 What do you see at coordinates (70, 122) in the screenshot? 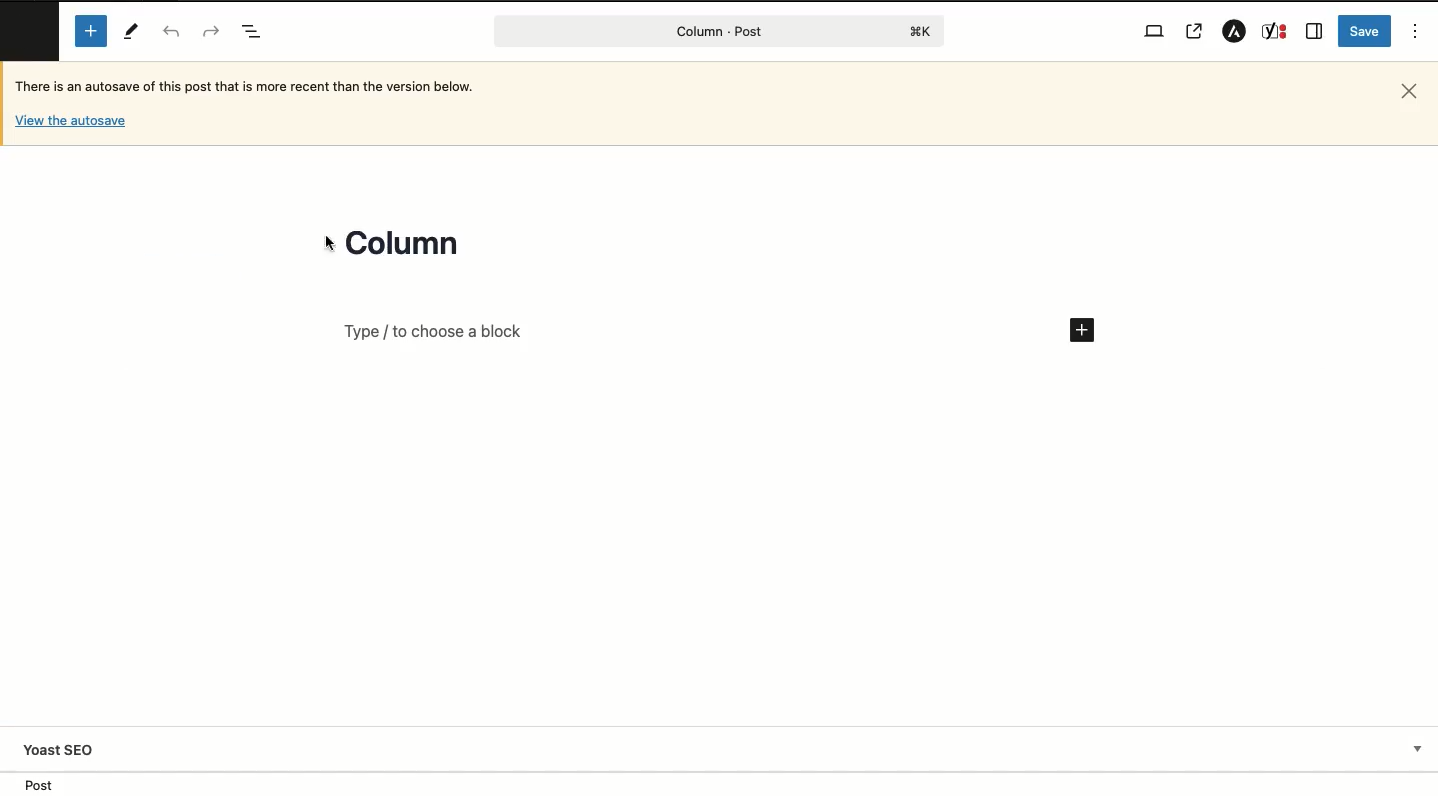
I see `` at bounding box center [70, 122].